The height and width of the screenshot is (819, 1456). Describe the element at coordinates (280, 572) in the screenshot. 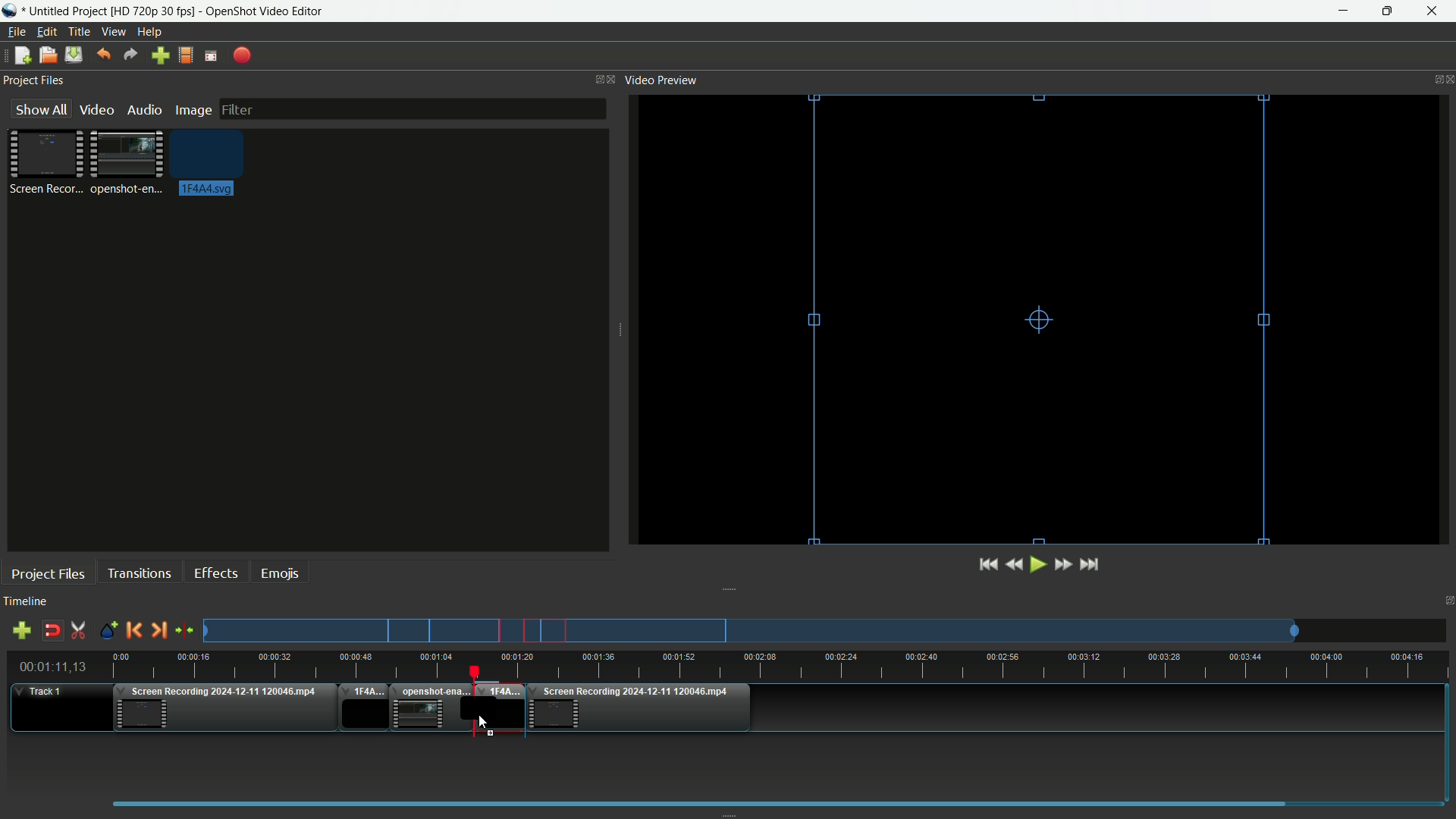

I see `Emojis` at that location.